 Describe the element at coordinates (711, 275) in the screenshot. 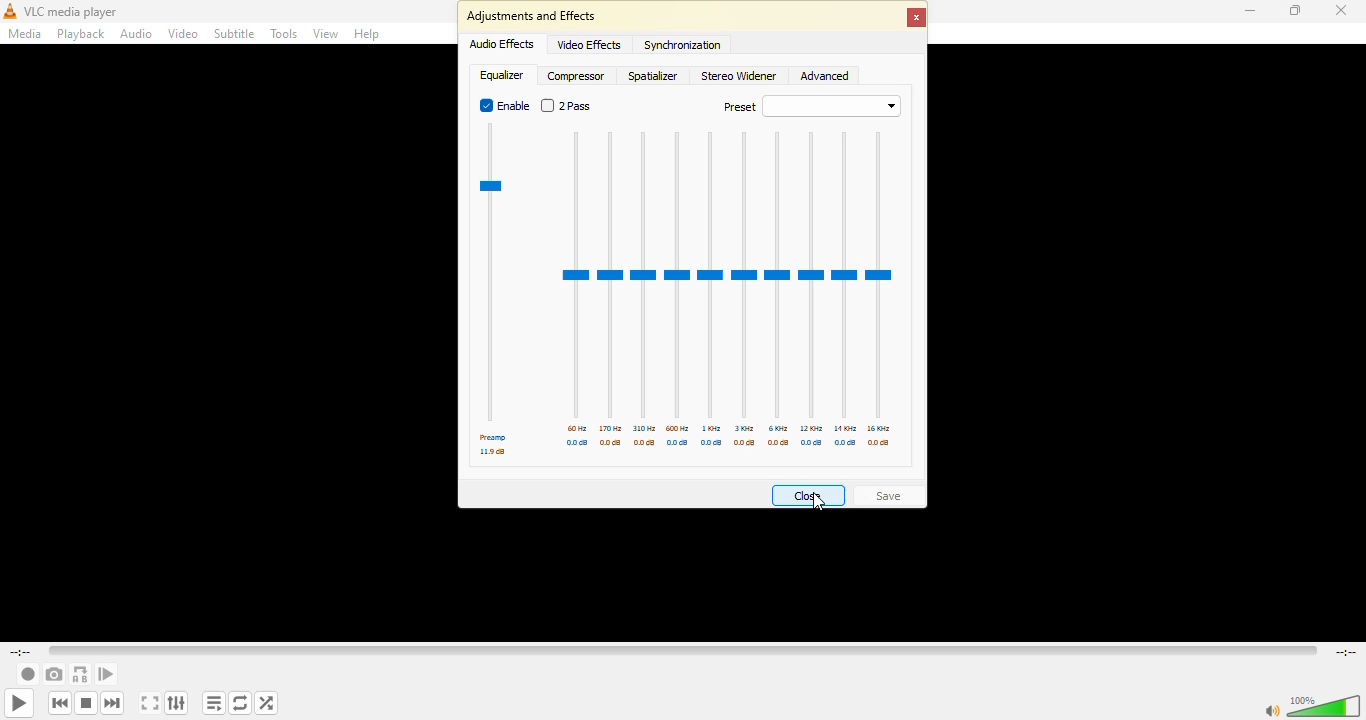

I see `adjustor` at that location.